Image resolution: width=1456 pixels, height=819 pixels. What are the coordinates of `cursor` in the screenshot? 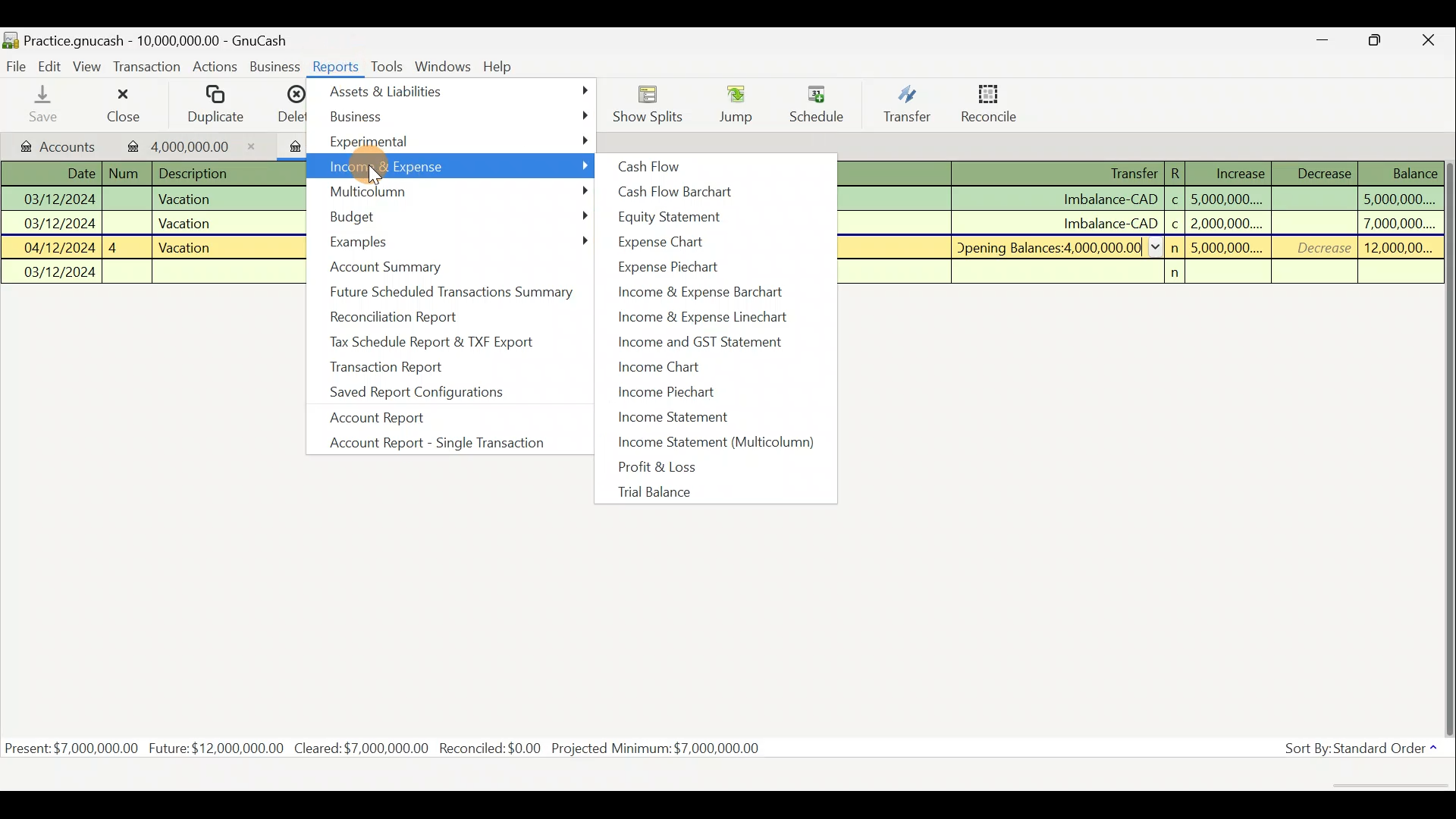 It's located at (376, 175).